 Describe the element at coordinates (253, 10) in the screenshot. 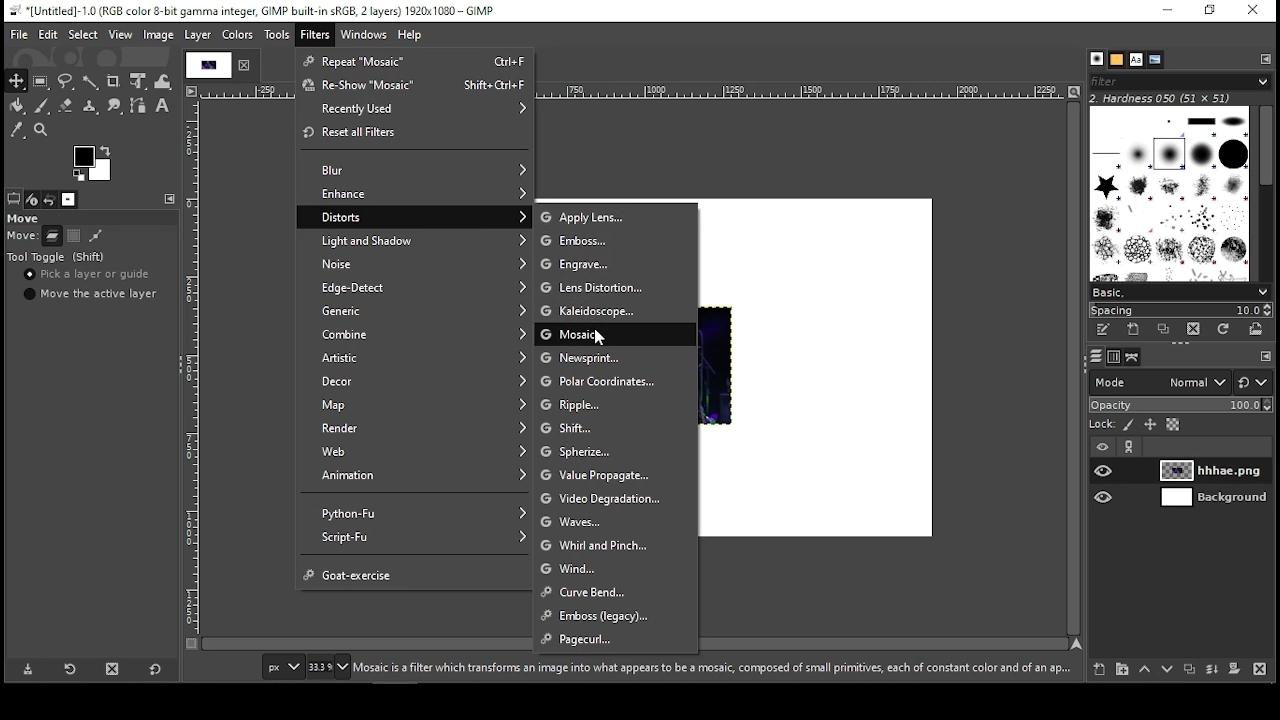

I see `*[Untitled]-10.0 (RGB color 8-bit gamma integer, GIMP built-in sRGB, 2 layers) 1920x1080 — GIMP` at that location.